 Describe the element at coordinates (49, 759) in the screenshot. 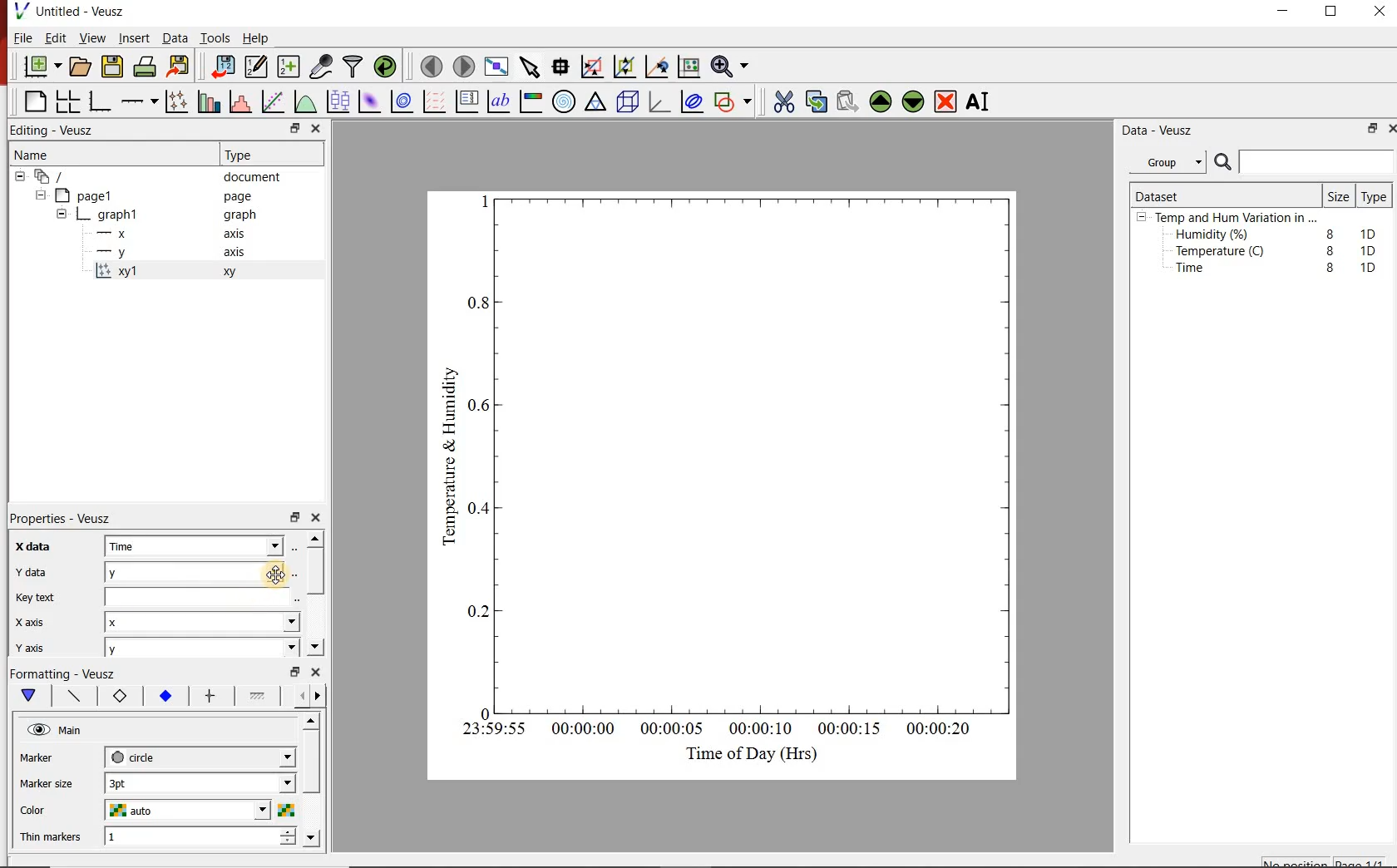

I see `Marker` at that location.